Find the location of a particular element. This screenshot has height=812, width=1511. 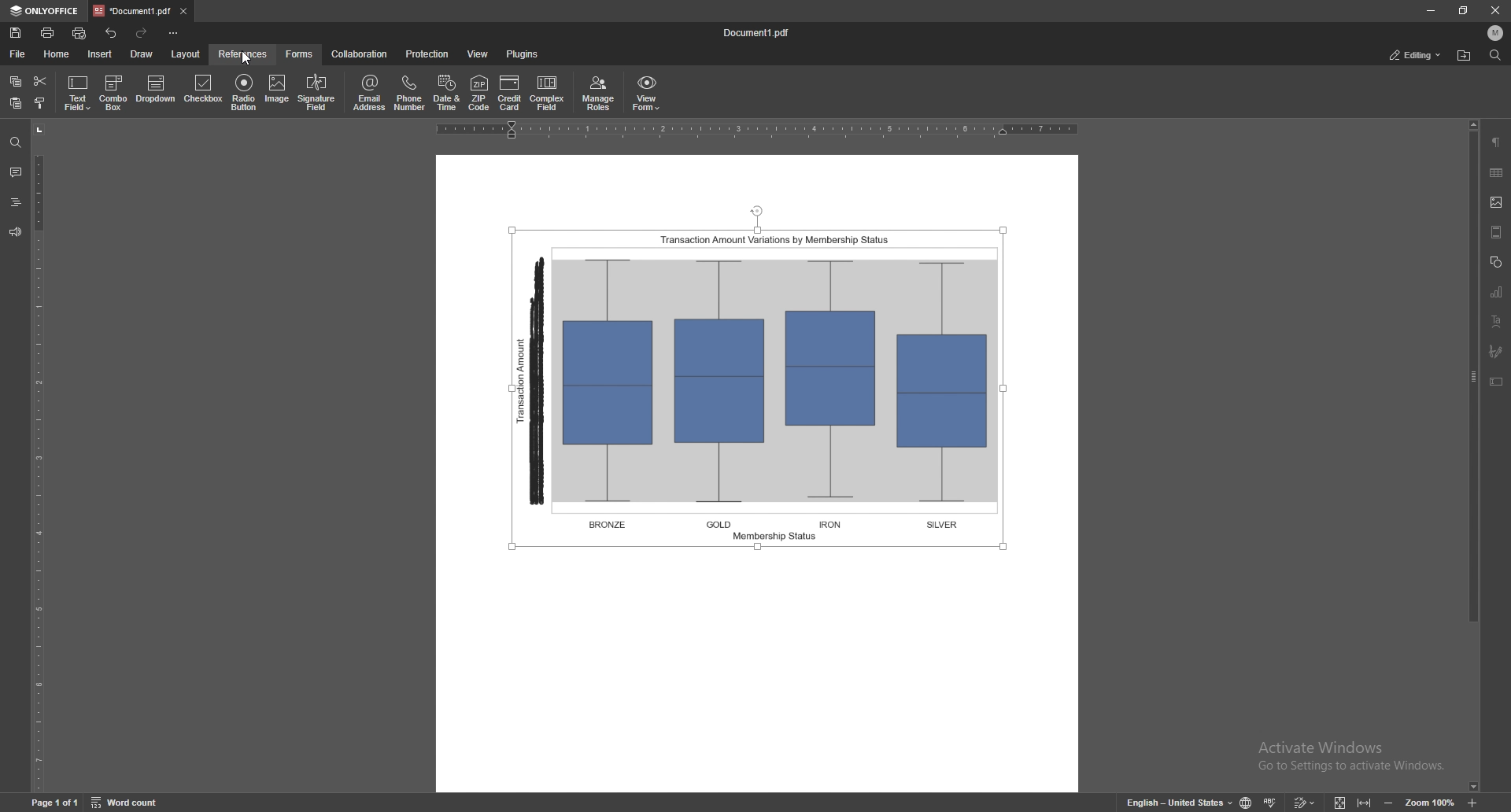

spell check is located at coordinates (1270, 802).